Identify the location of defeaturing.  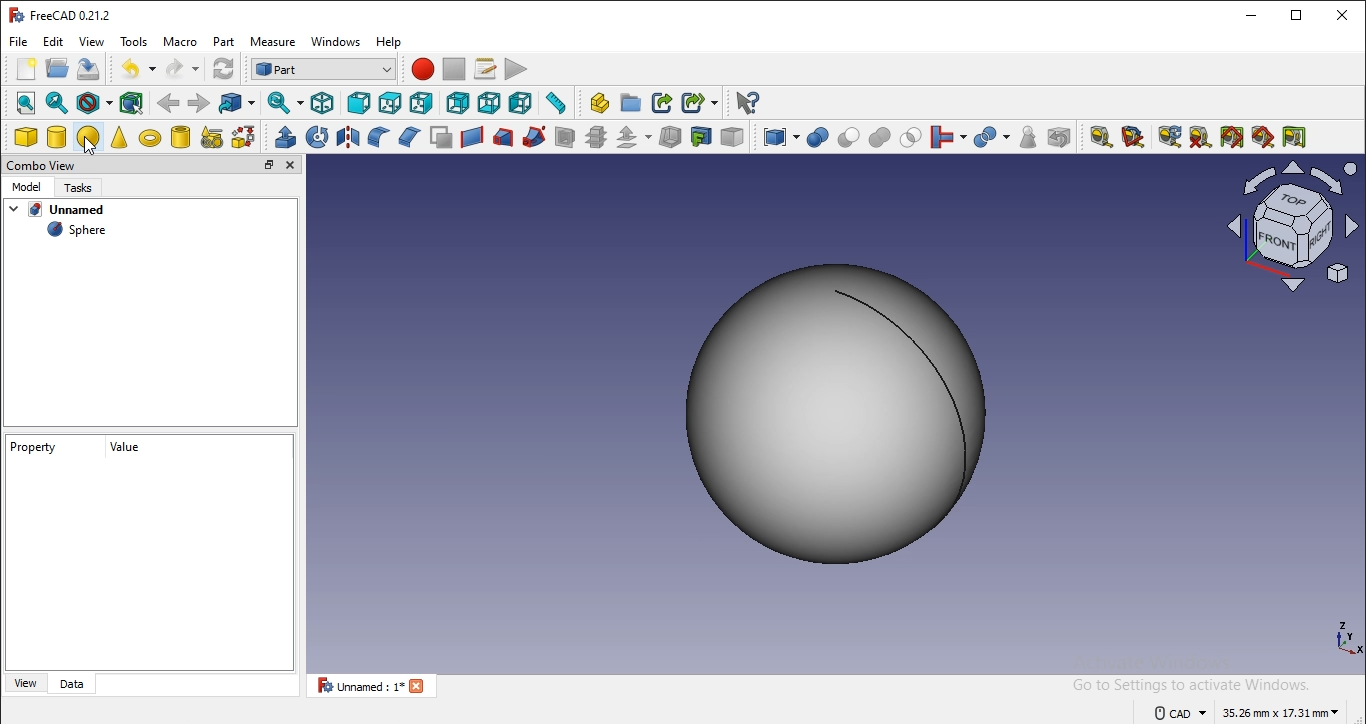
(1058, 137).